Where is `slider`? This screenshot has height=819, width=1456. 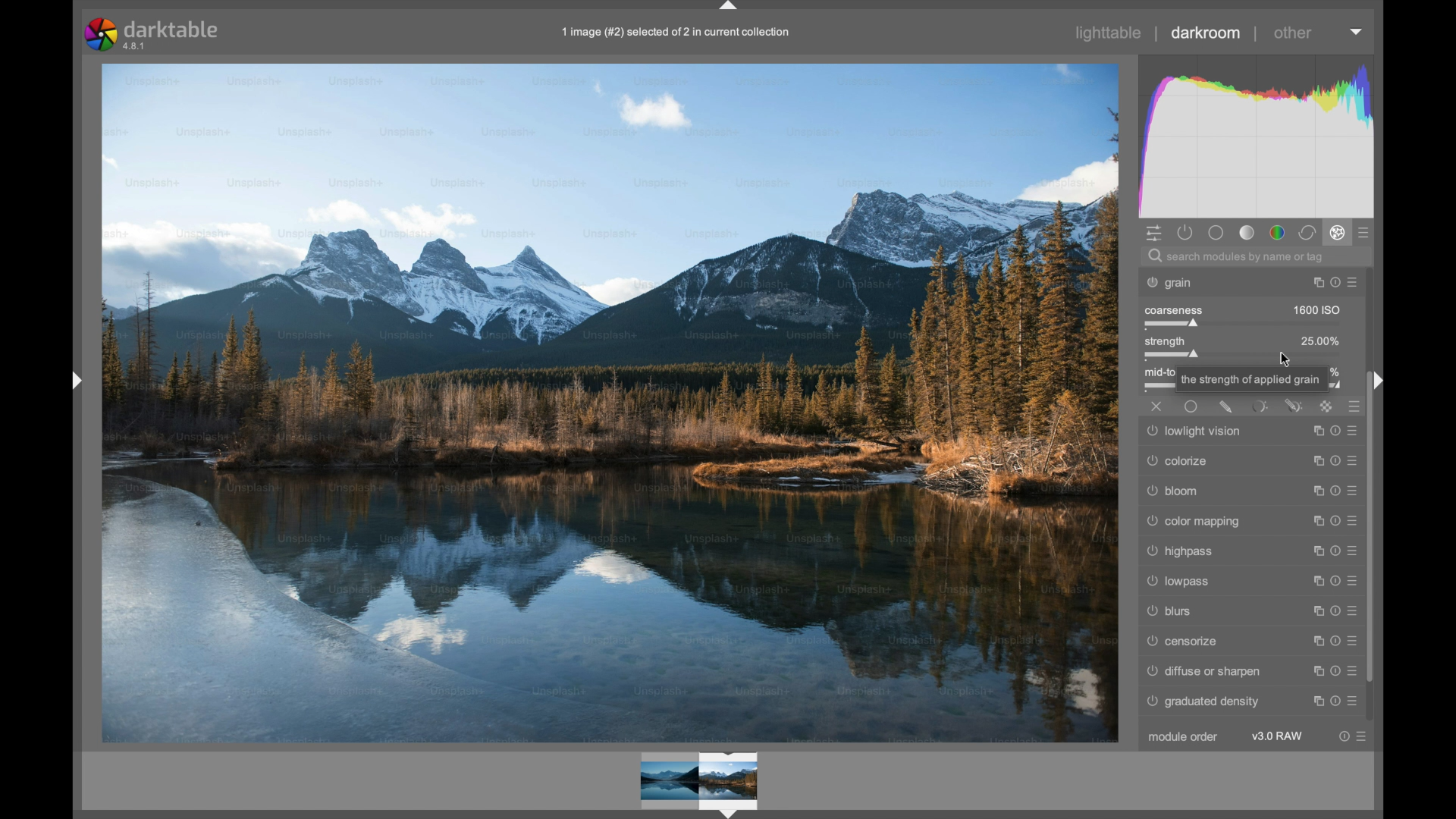
slider is located at coordinates (1171, 325).